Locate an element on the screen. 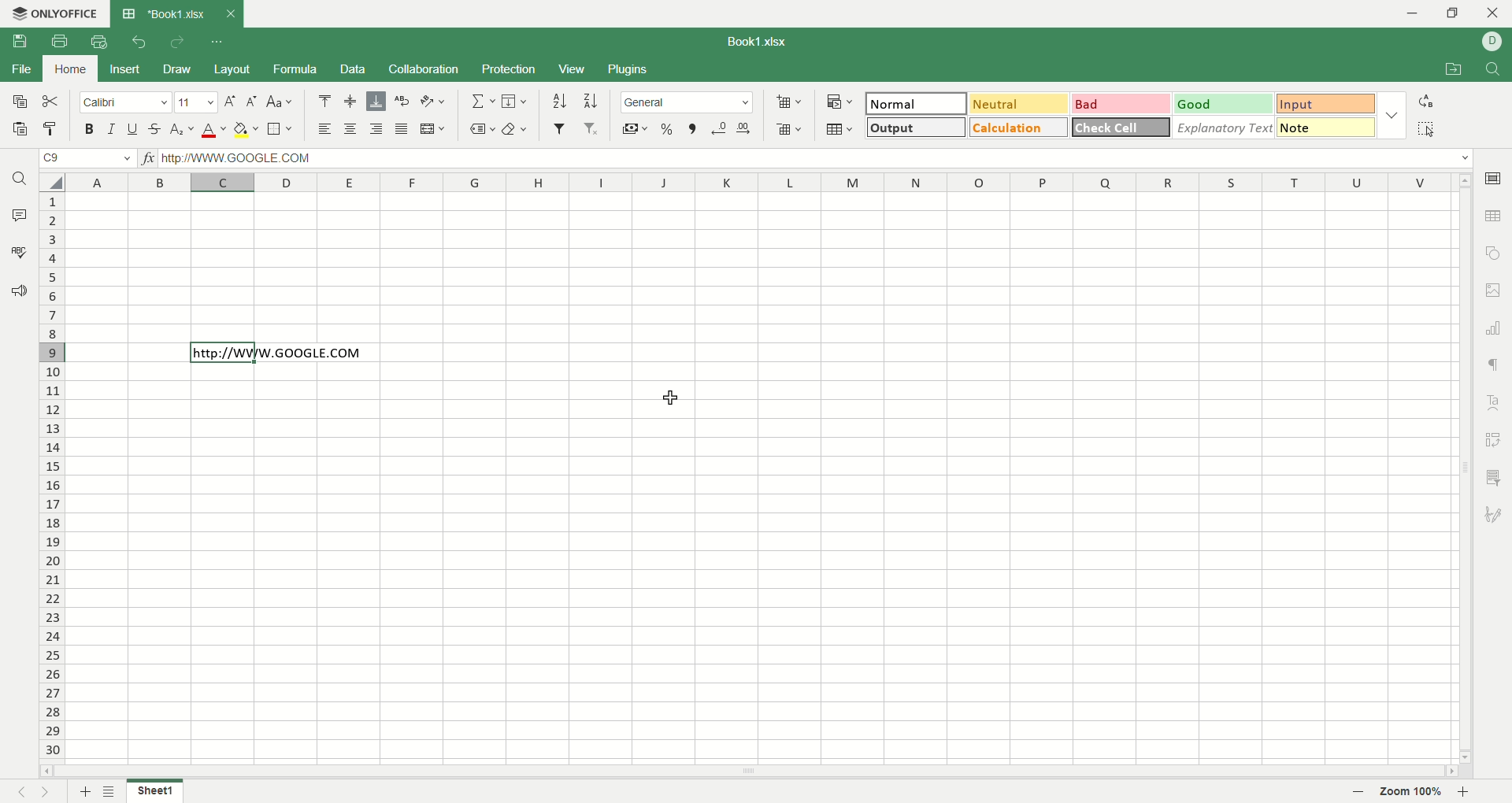 The image size is (1512, 803). style options is located at coordinates (1390, 113).